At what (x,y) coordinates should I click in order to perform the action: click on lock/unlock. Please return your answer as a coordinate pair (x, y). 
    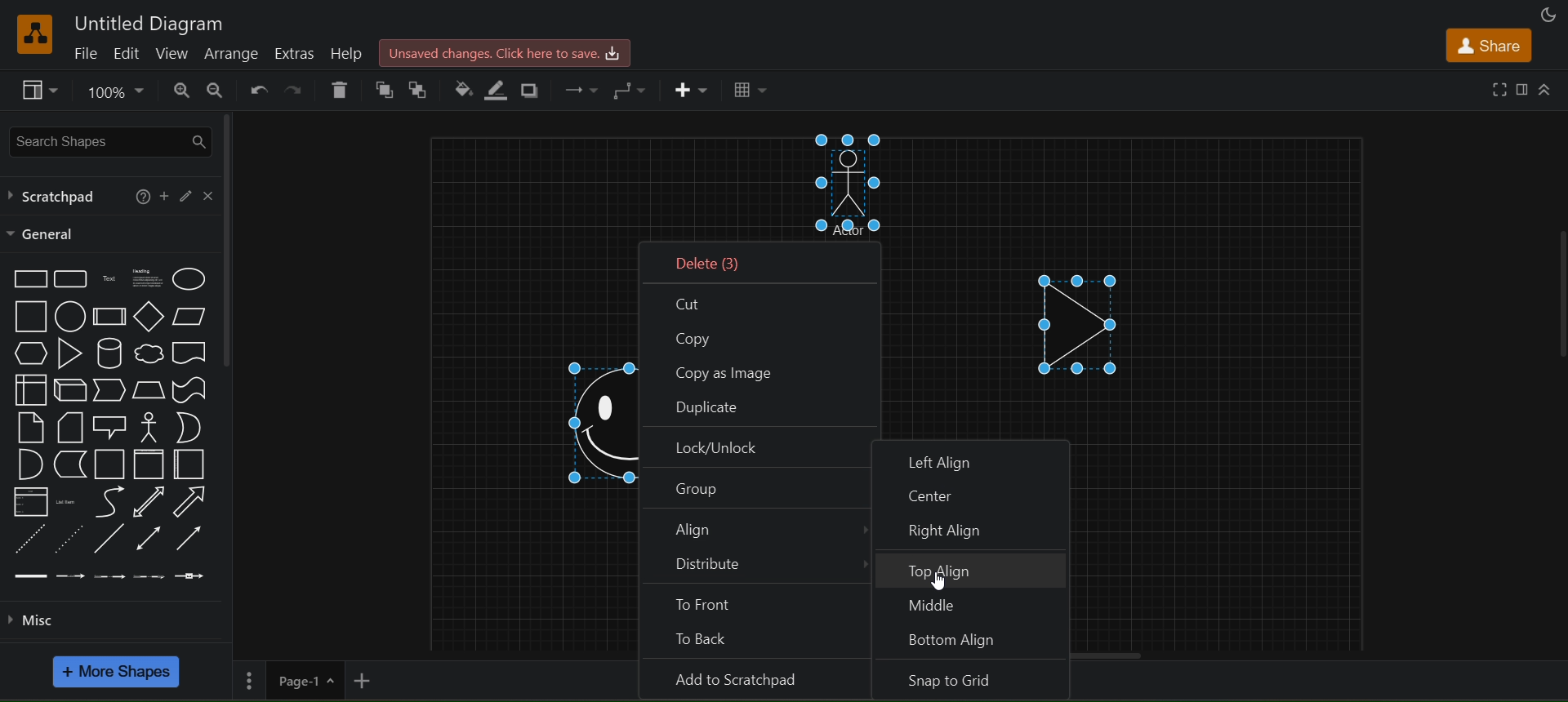
    Looking at the image, I should click on (757, 447).